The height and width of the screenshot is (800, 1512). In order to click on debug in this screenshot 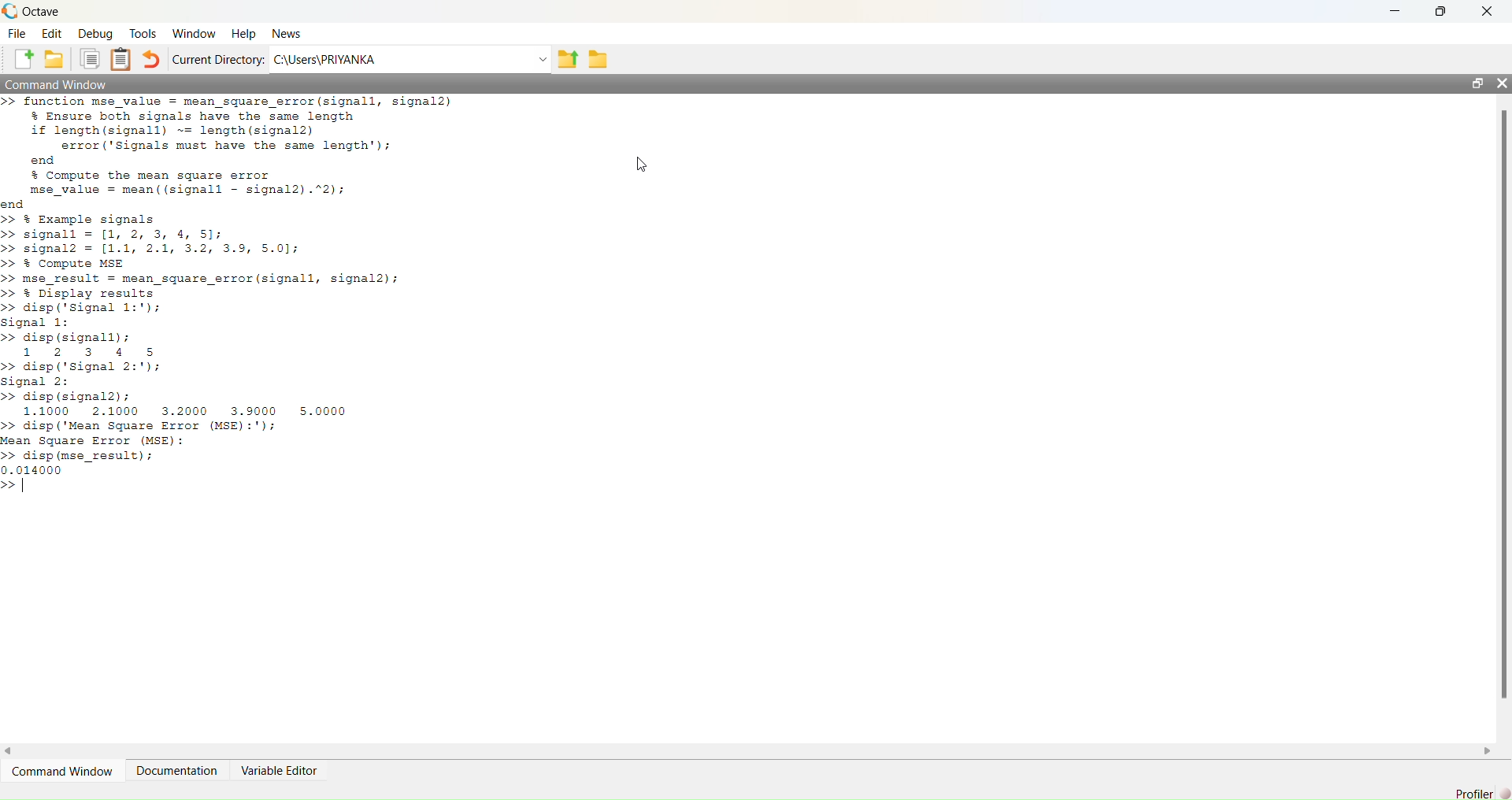, I will do `click(96, 35)`.